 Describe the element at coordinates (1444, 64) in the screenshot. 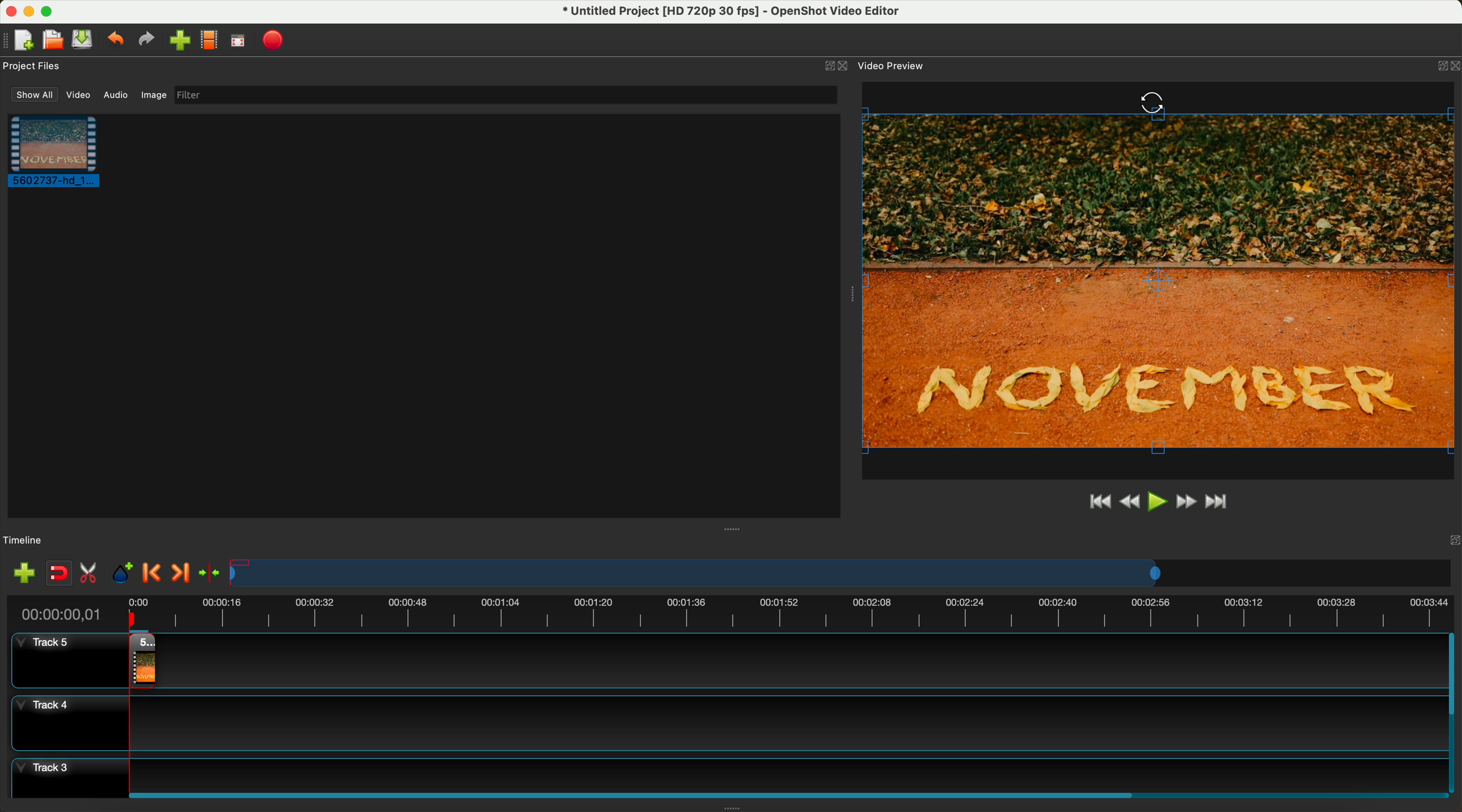

I see `` at that location.